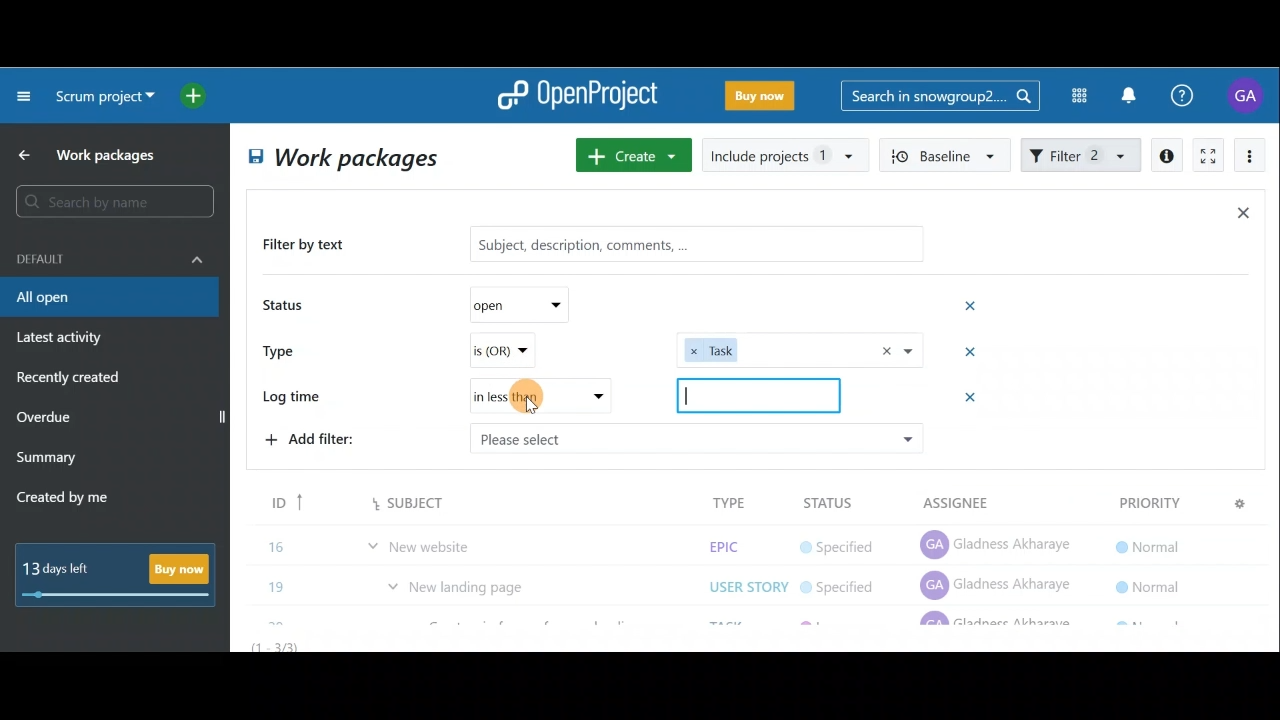 Image resolution: width=1280 pixels, height=720 pixels. What do you see at coordinates (635, 157) in the screenshot?
I see `+ Create ` at bounding box center [635, 157].